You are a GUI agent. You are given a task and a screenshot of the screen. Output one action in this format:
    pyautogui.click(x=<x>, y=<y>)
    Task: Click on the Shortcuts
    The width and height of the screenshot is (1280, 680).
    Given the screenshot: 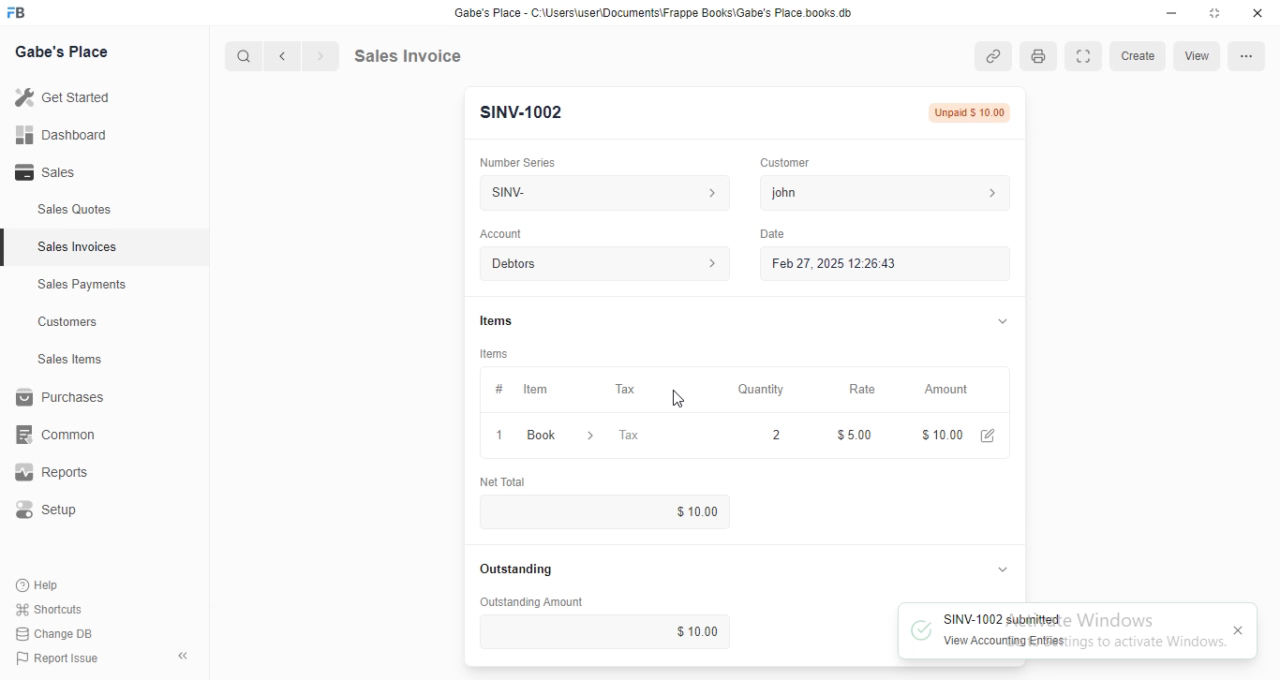 What is the action you would take?
    pyautogui.click(x=50, y=610)
    